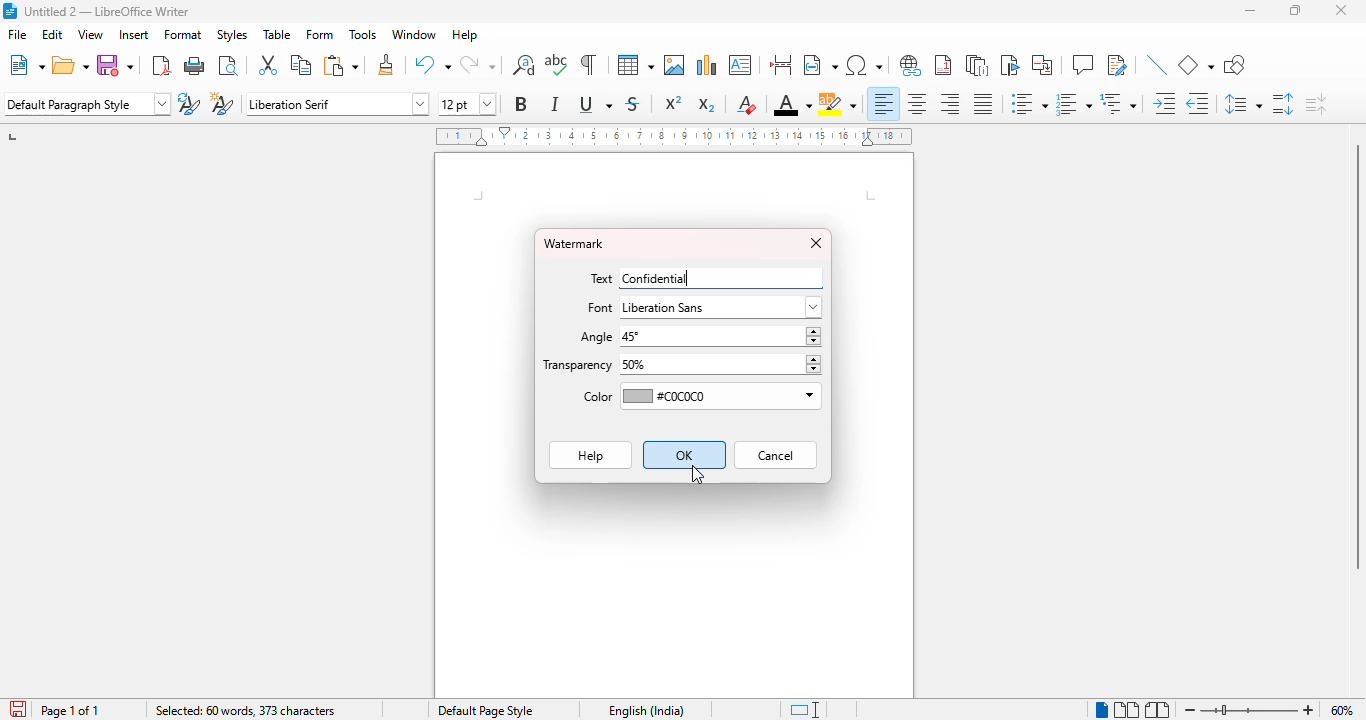 Image resolution: width=1366 pixels, height=720 pixels. What do you see at coordinates (71, 710) in the screenshot?
I see `page 1 of 1` at bounding box center [71, 710].